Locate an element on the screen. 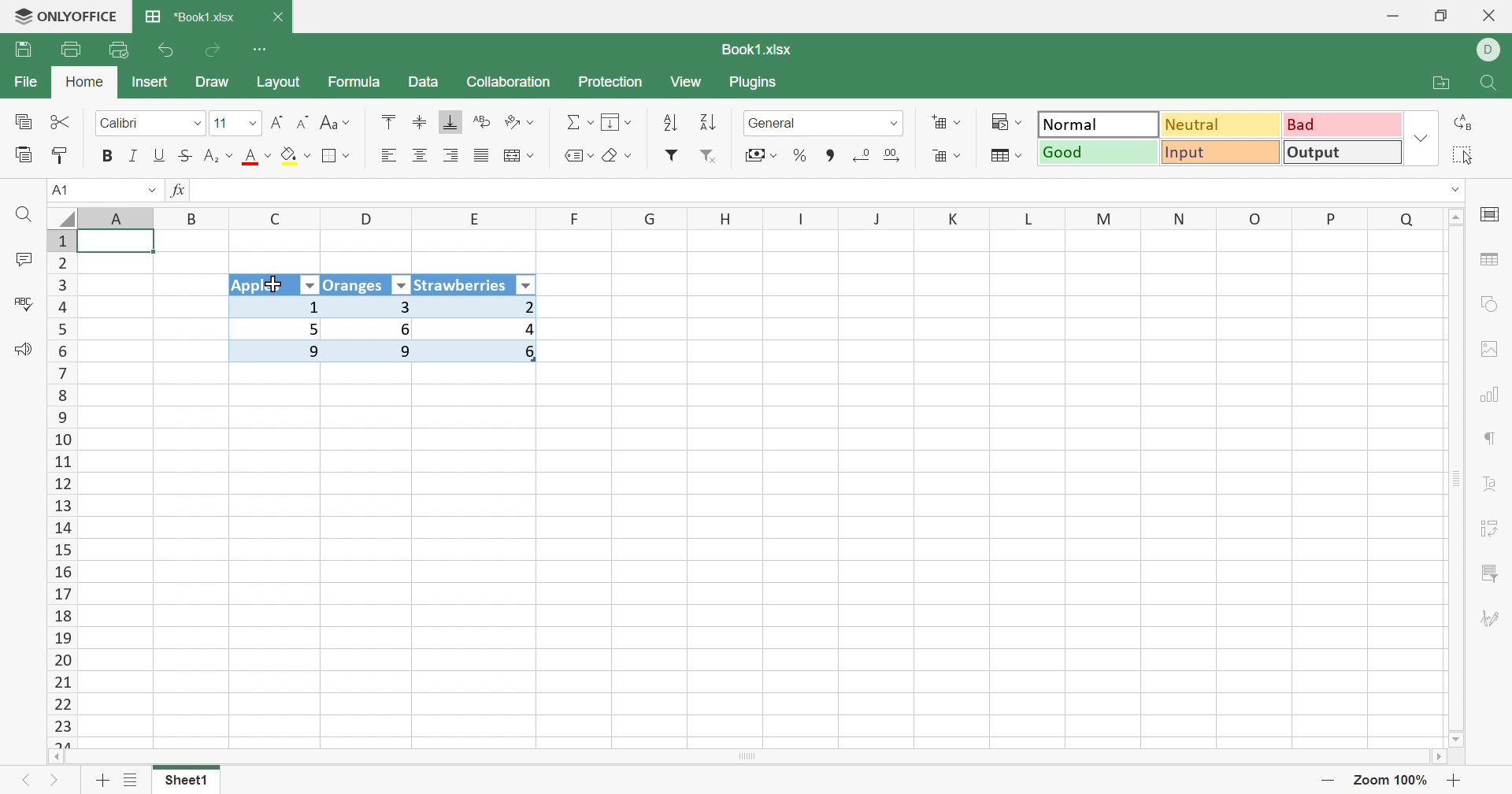 The width and height of the screenshot is (1512, 794). Insert columns is located at coordinates (519, 156).